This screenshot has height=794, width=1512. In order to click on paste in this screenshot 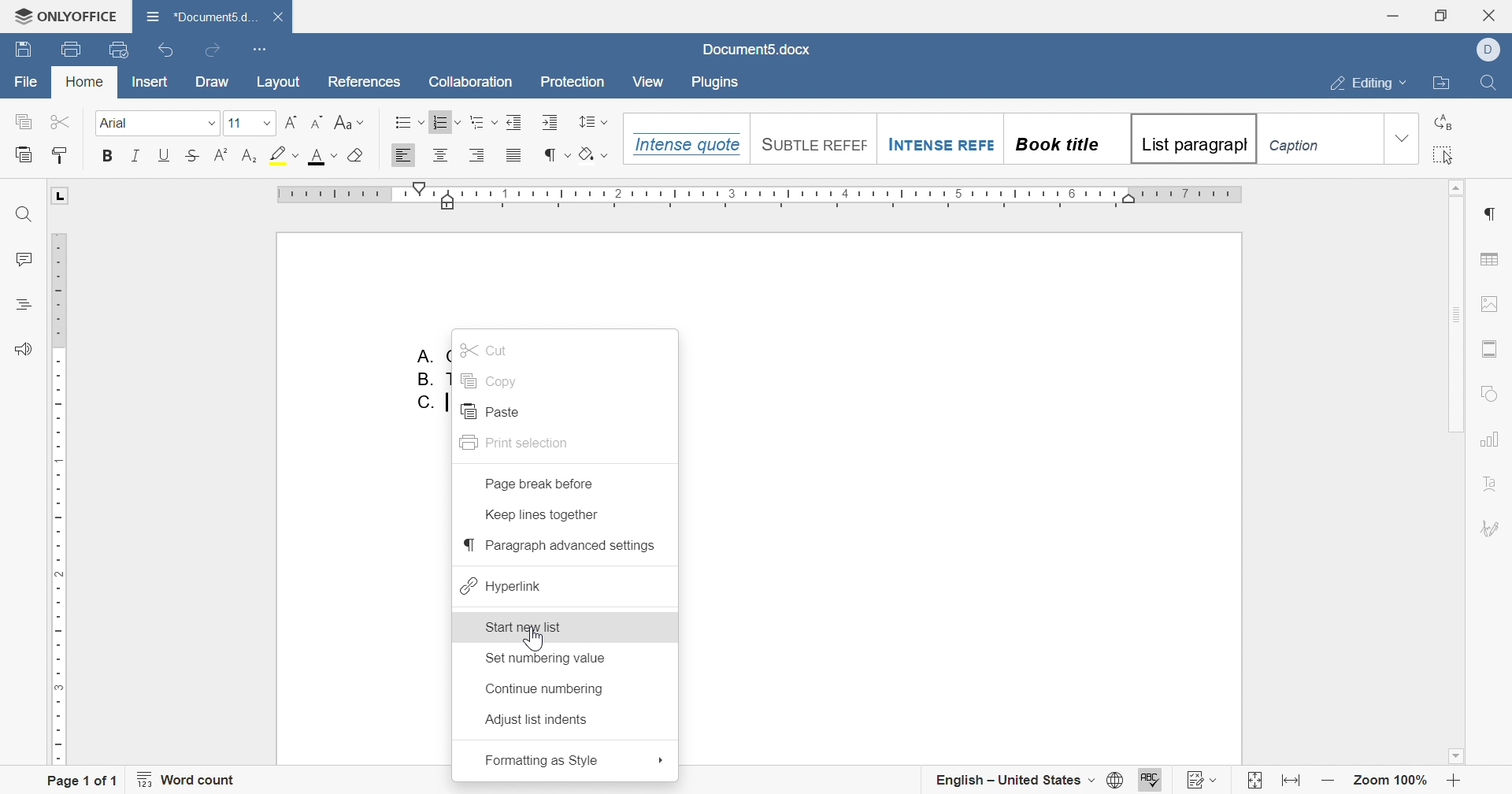, I will do `click(492, 412)`.